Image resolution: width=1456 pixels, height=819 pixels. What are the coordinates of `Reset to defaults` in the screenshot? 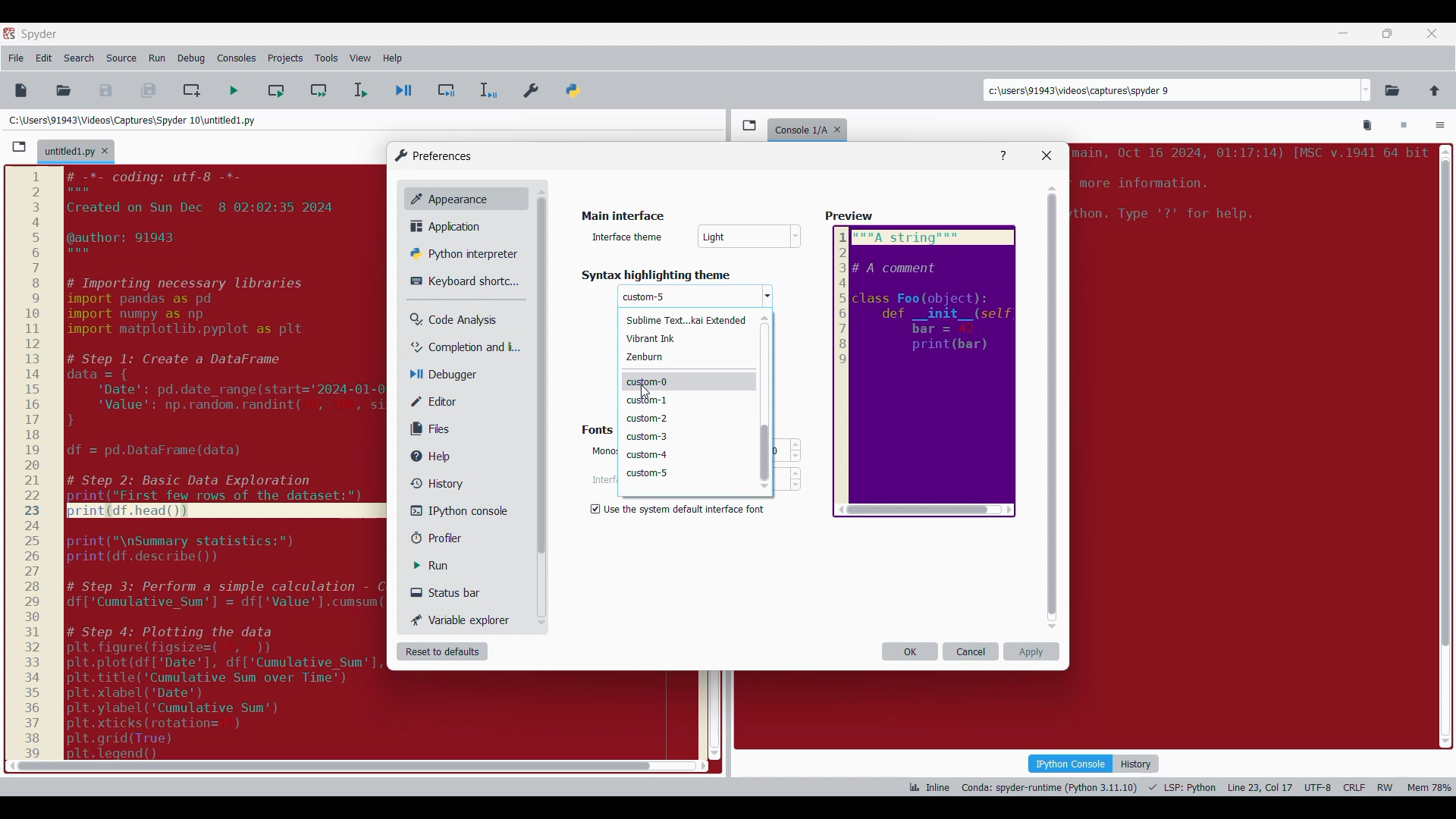 It's located at (442, 651).